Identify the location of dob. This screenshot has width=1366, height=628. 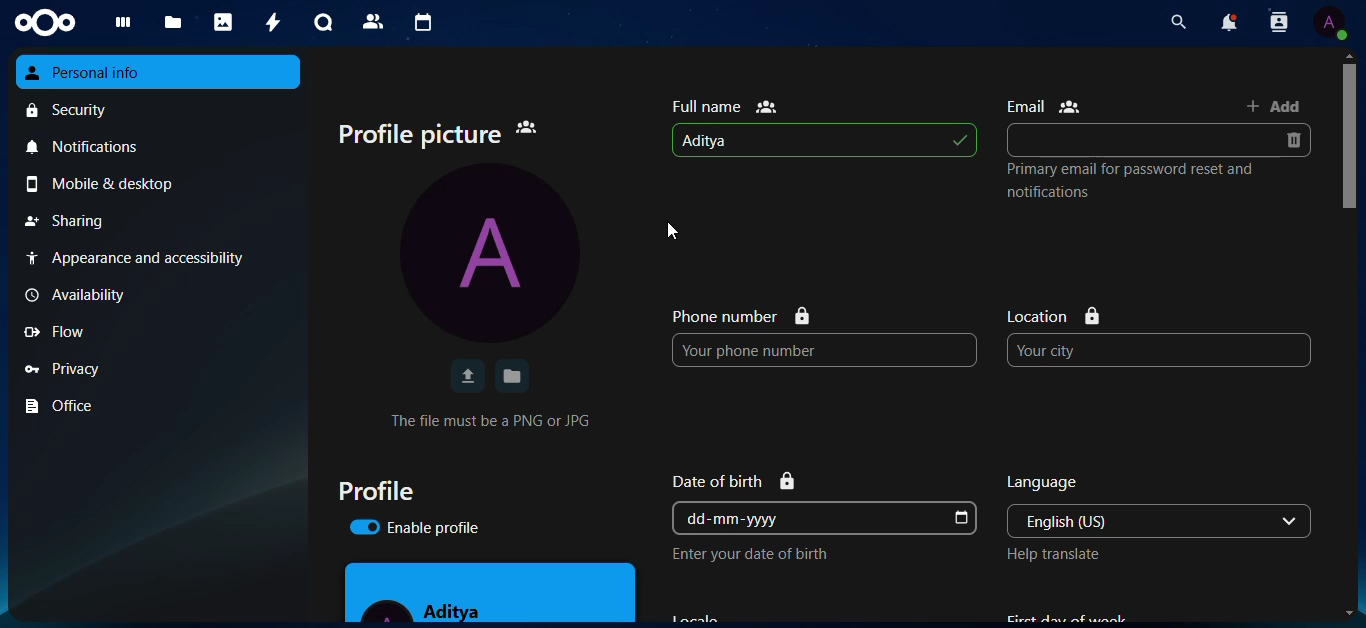
(959, 519).